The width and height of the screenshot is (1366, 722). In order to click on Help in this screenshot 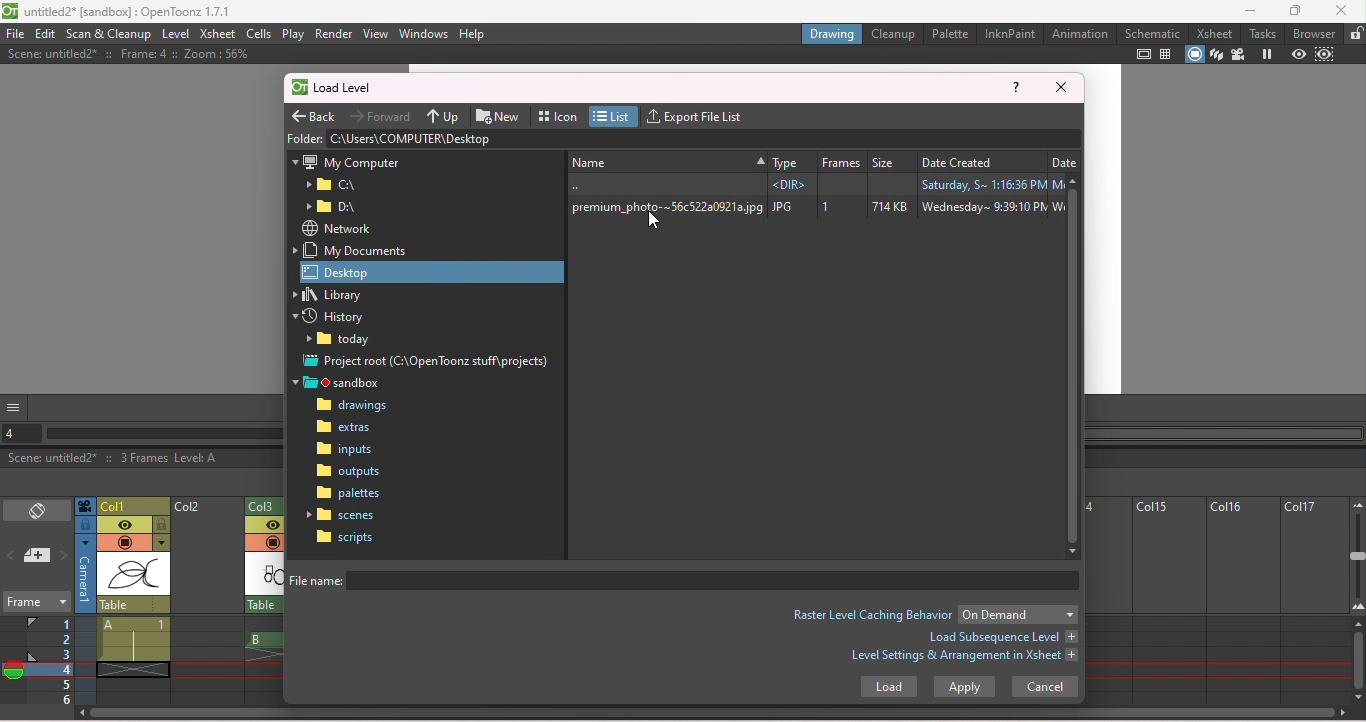, I will do `click(1017, 89)`.